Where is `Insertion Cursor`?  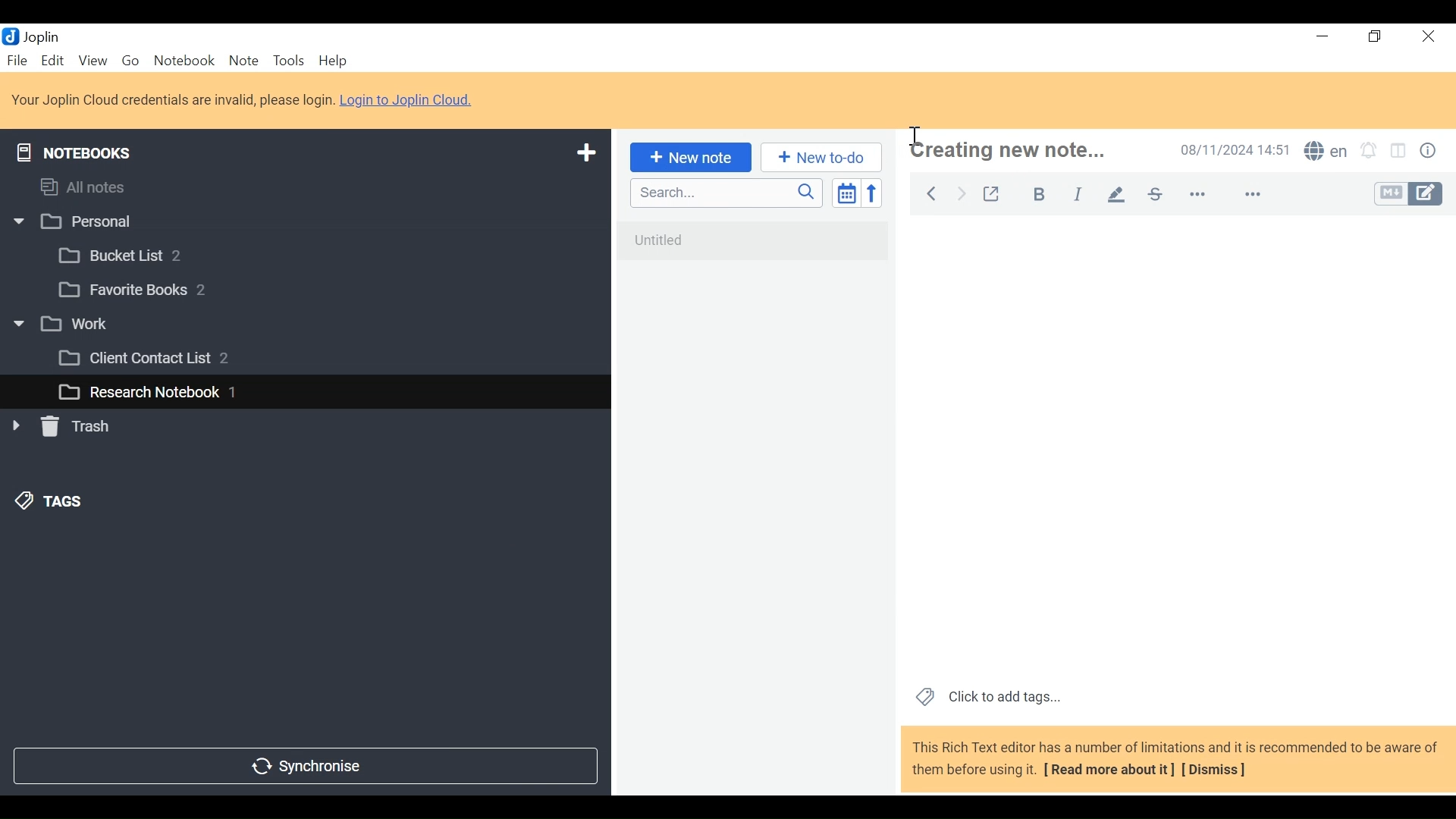
Insertion Cursor is located at coordinates (917, 135).